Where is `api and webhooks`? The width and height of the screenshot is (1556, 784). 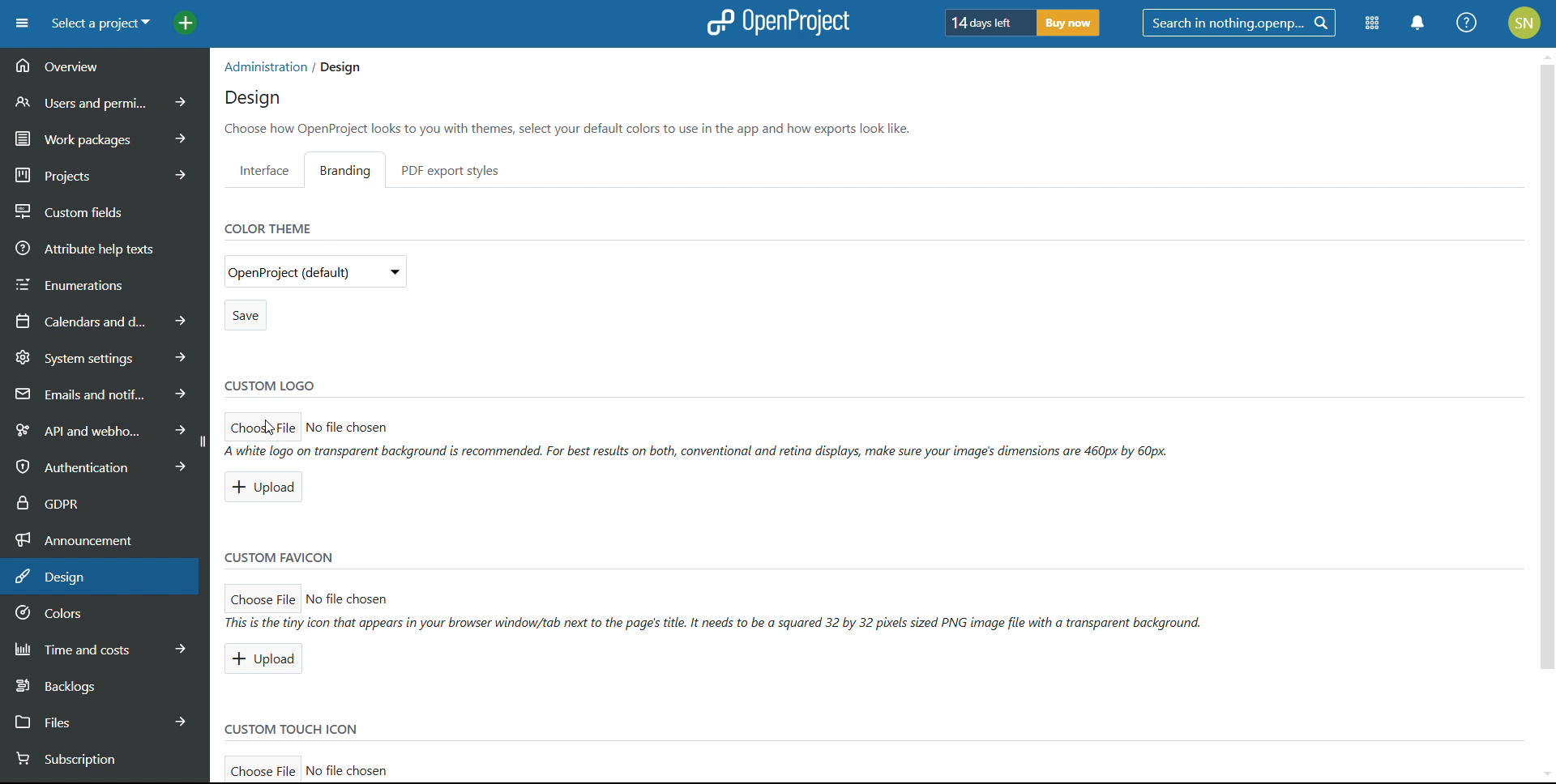
api and webhooks is located at coordinates (96, 428).